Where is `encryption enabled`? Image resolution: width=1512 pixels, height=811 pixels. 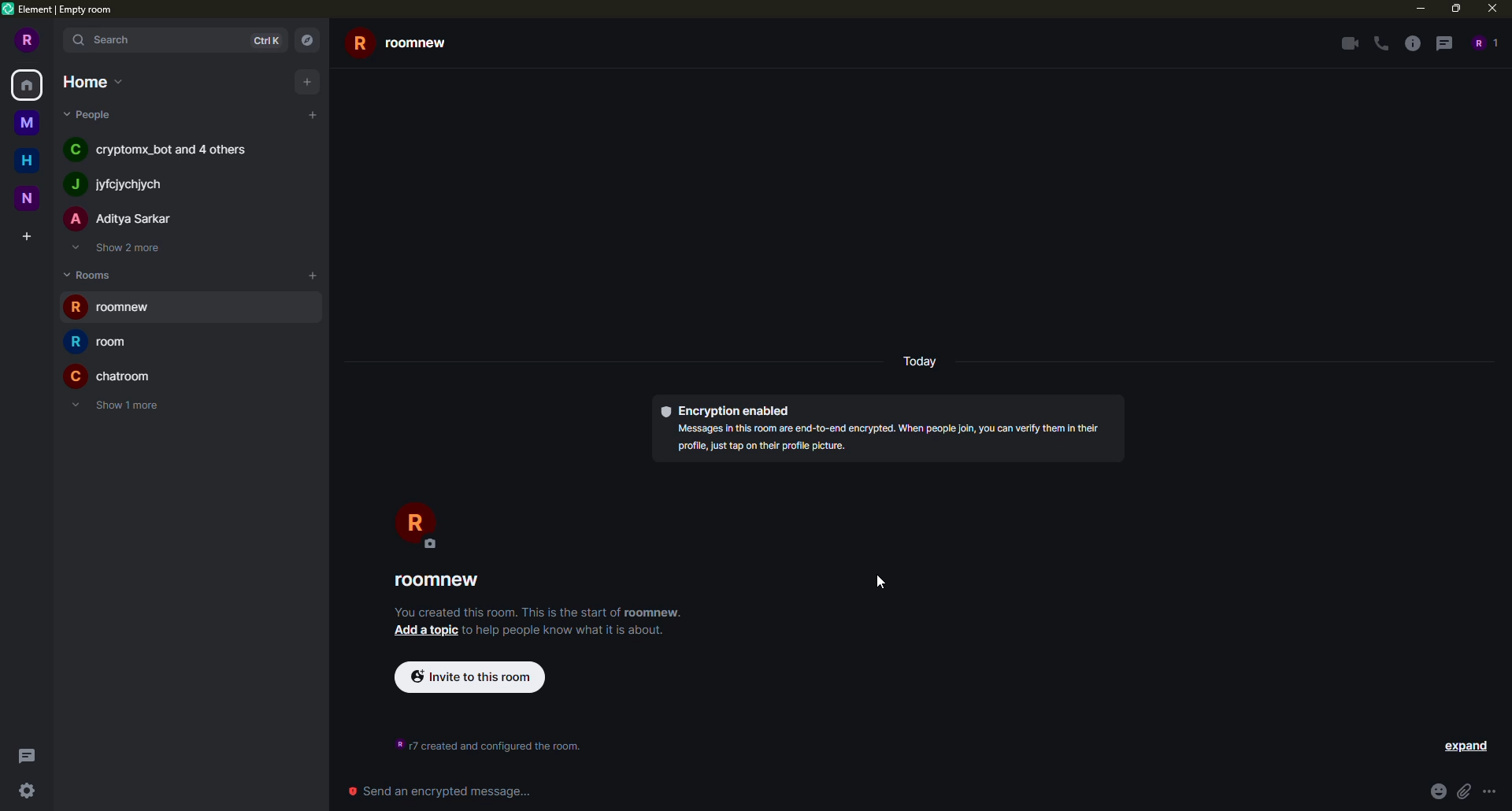
encryption enabled is located at coordinates (725, 408).